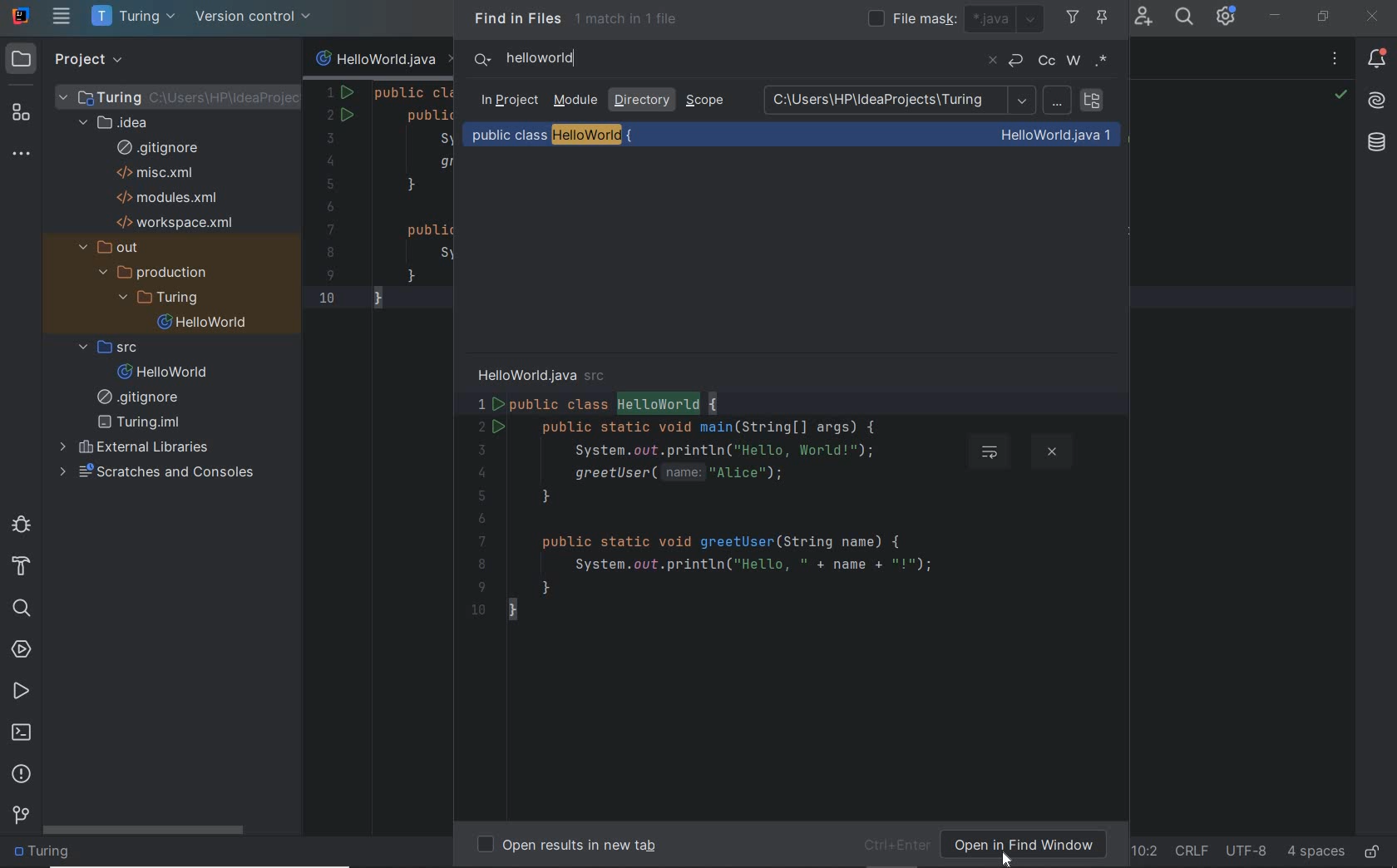 The image size is (1397, 868). Describe the element at coordinates (1095, 101) in the screenshot. I see `search recursively in subdirectories` at that location.